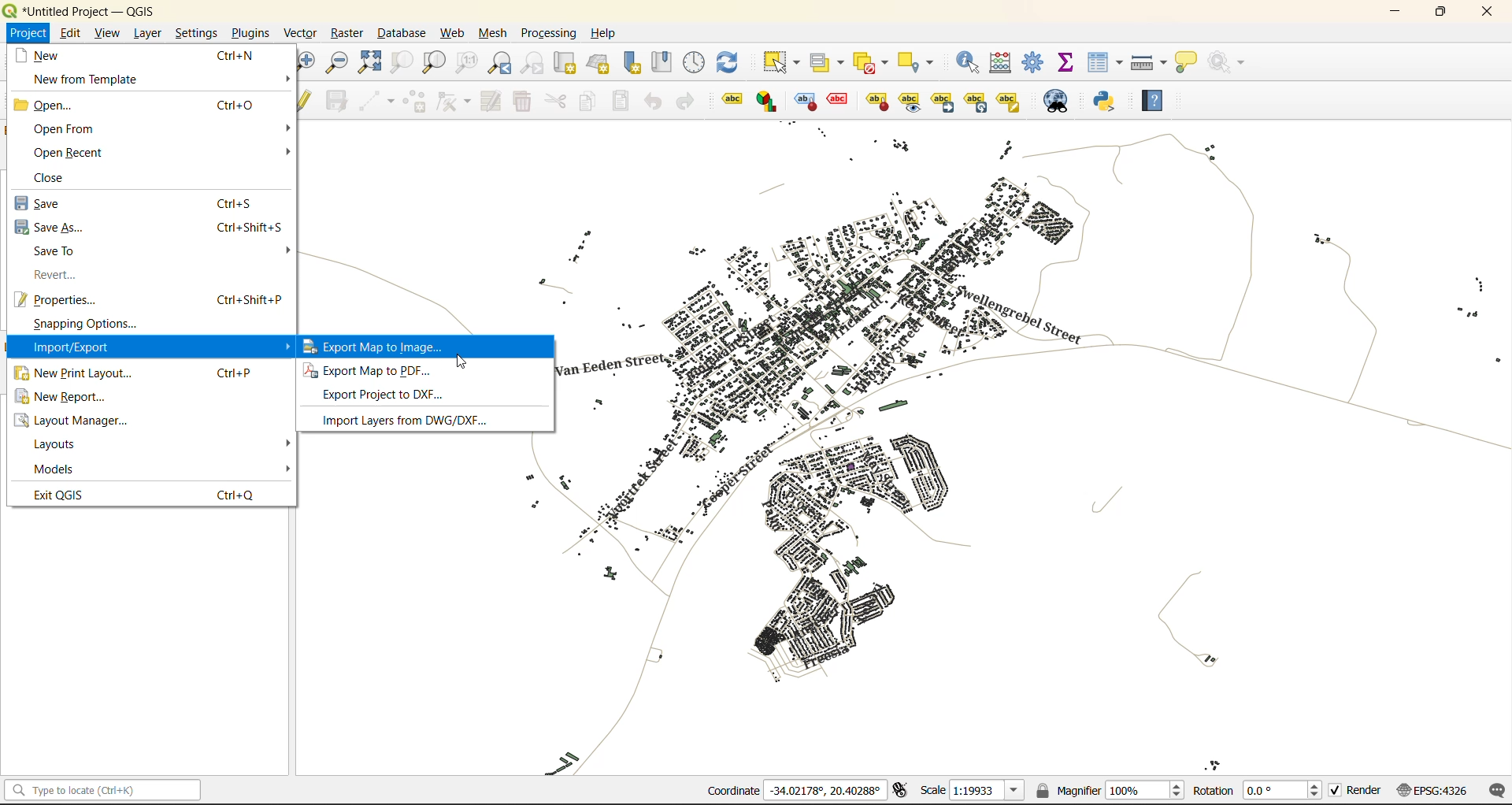 Image resolution: width=1512 pixels, height=805 pixels. Describe the element at coordinates (337, 64) in the screenshot. I see `zoom out` at that location.